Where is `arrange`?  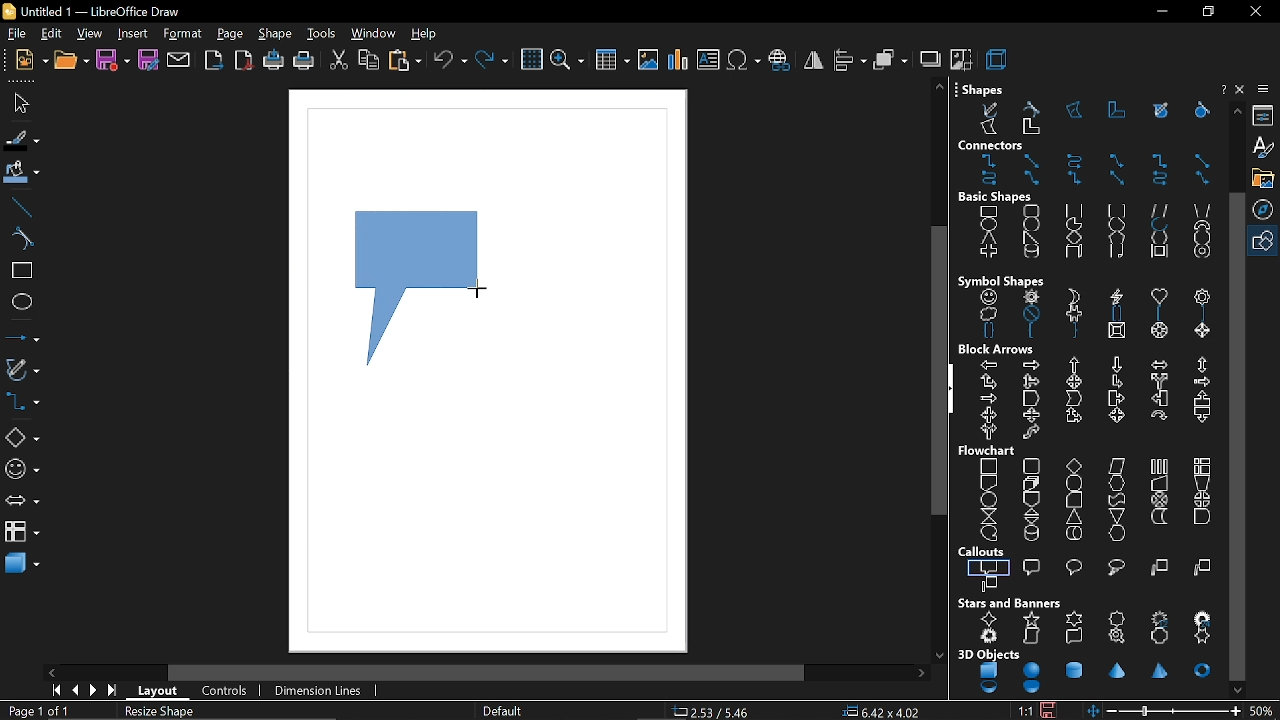
arrange is located at coordinates (890, 60).